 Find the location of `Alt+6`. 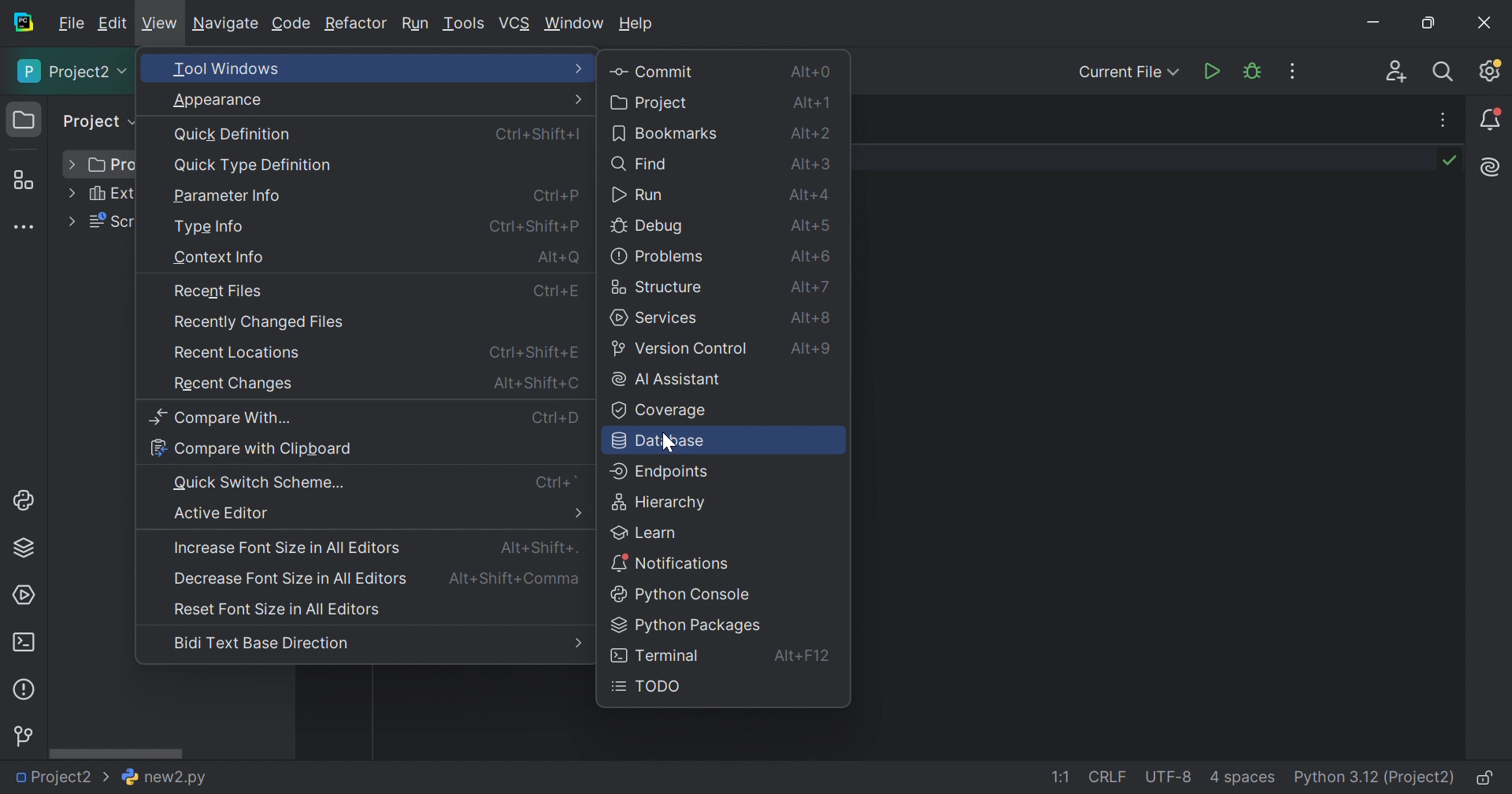

Alt+6 is located at coordinates (813, 286).